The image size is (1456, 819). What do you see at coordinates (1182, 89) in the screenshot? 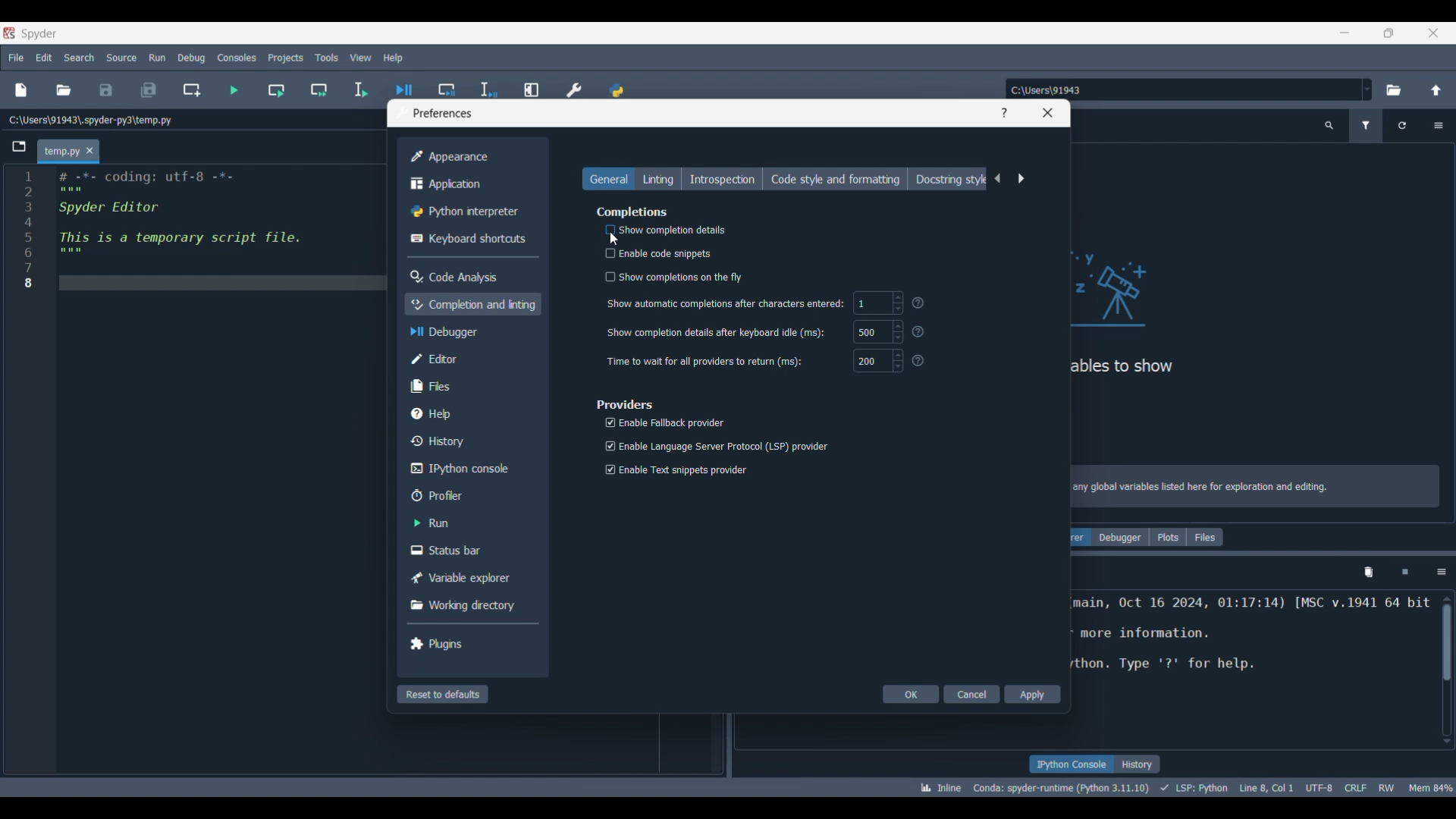
I see `Enter location` at bounding box center [1182, 89].